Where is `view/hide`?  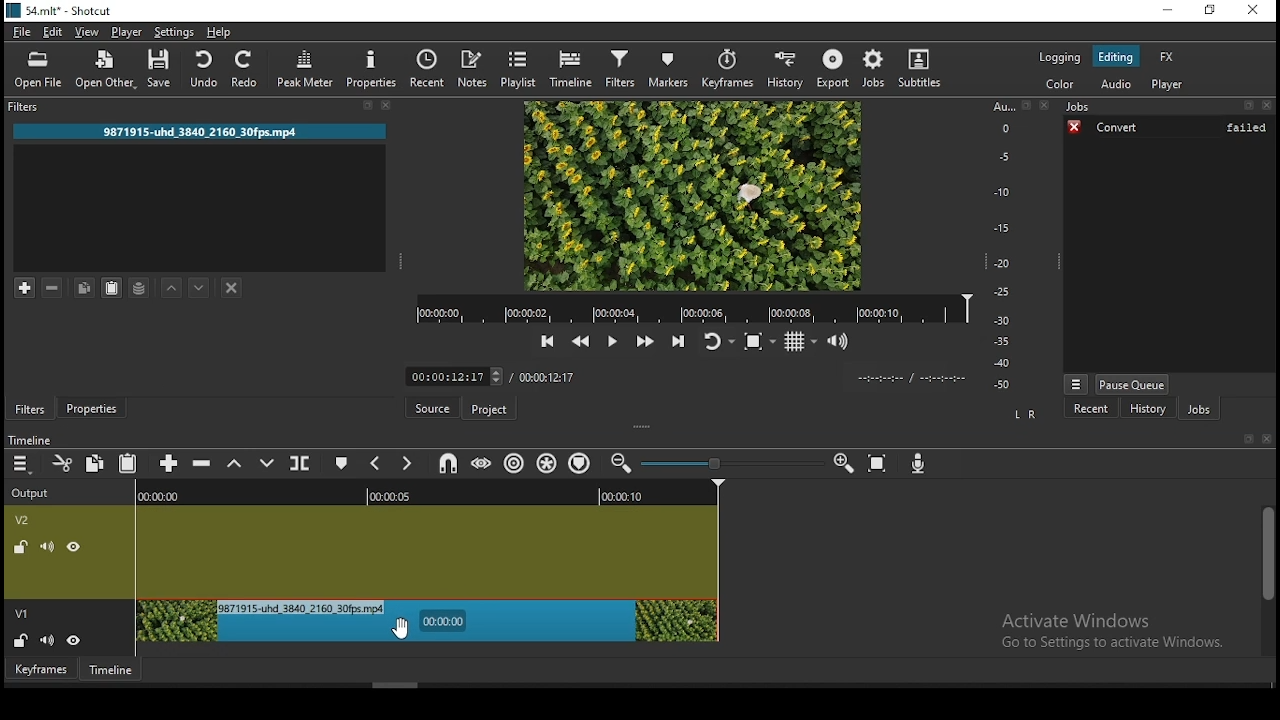 view/hide is located at coordinates (75, 639).